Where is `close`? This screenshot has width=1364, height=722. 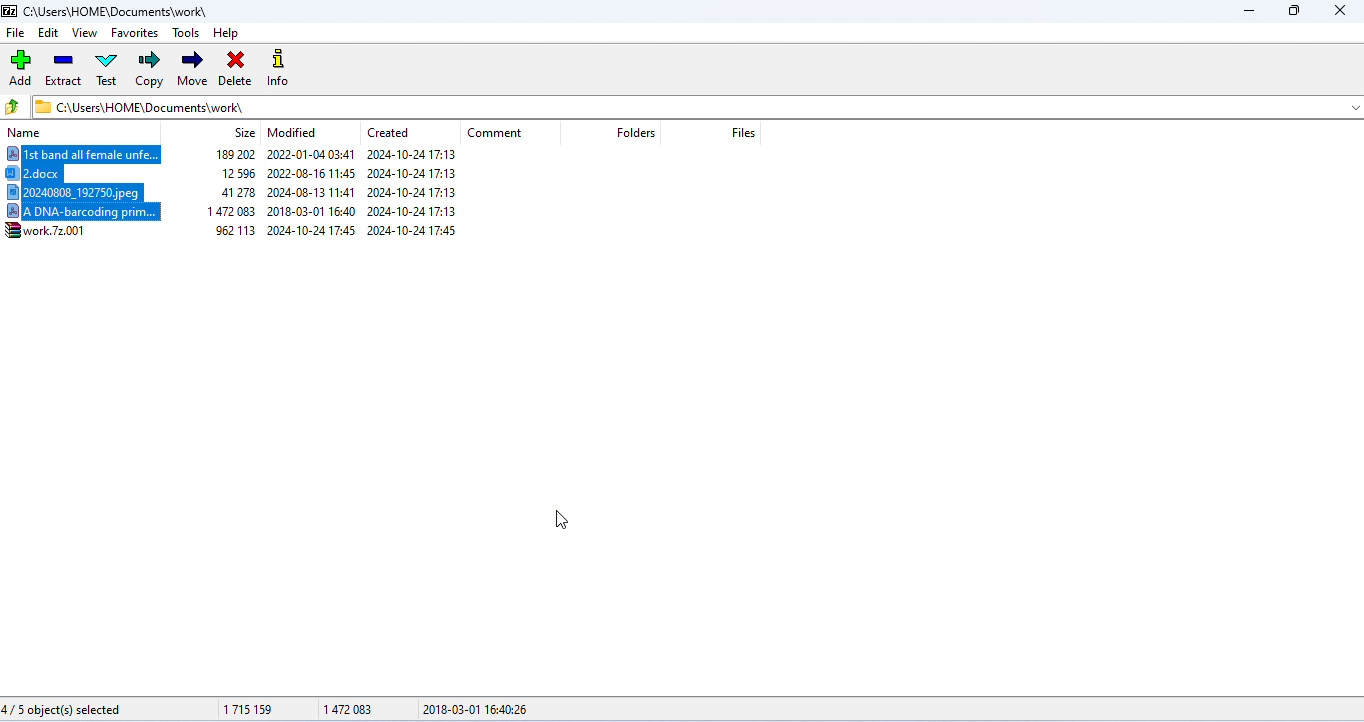 close is located at coordinates (1338, 11).